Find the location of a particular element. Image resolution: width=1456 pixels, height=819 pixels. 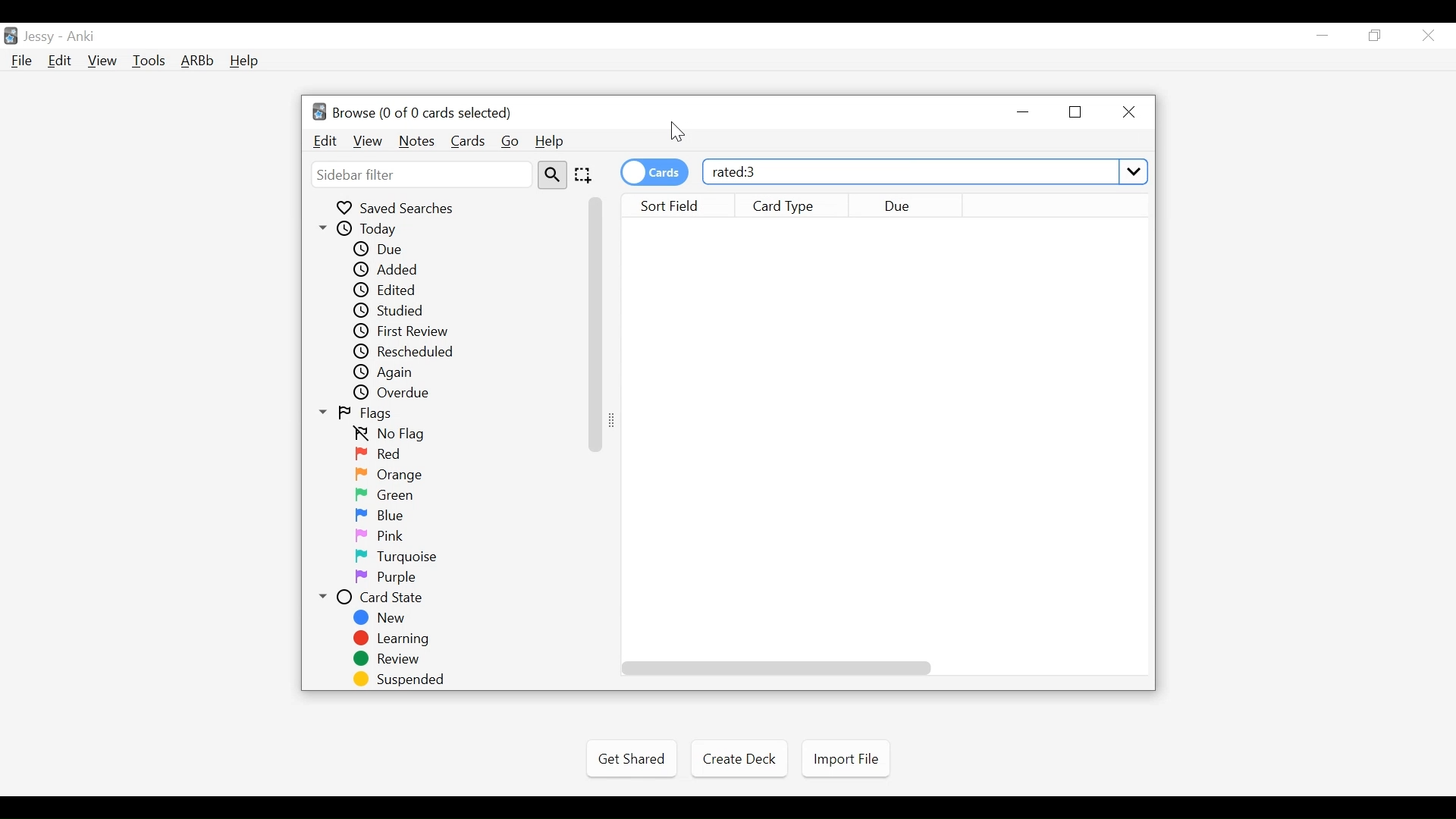

Saved Searches is located at coordinates (403, 207).